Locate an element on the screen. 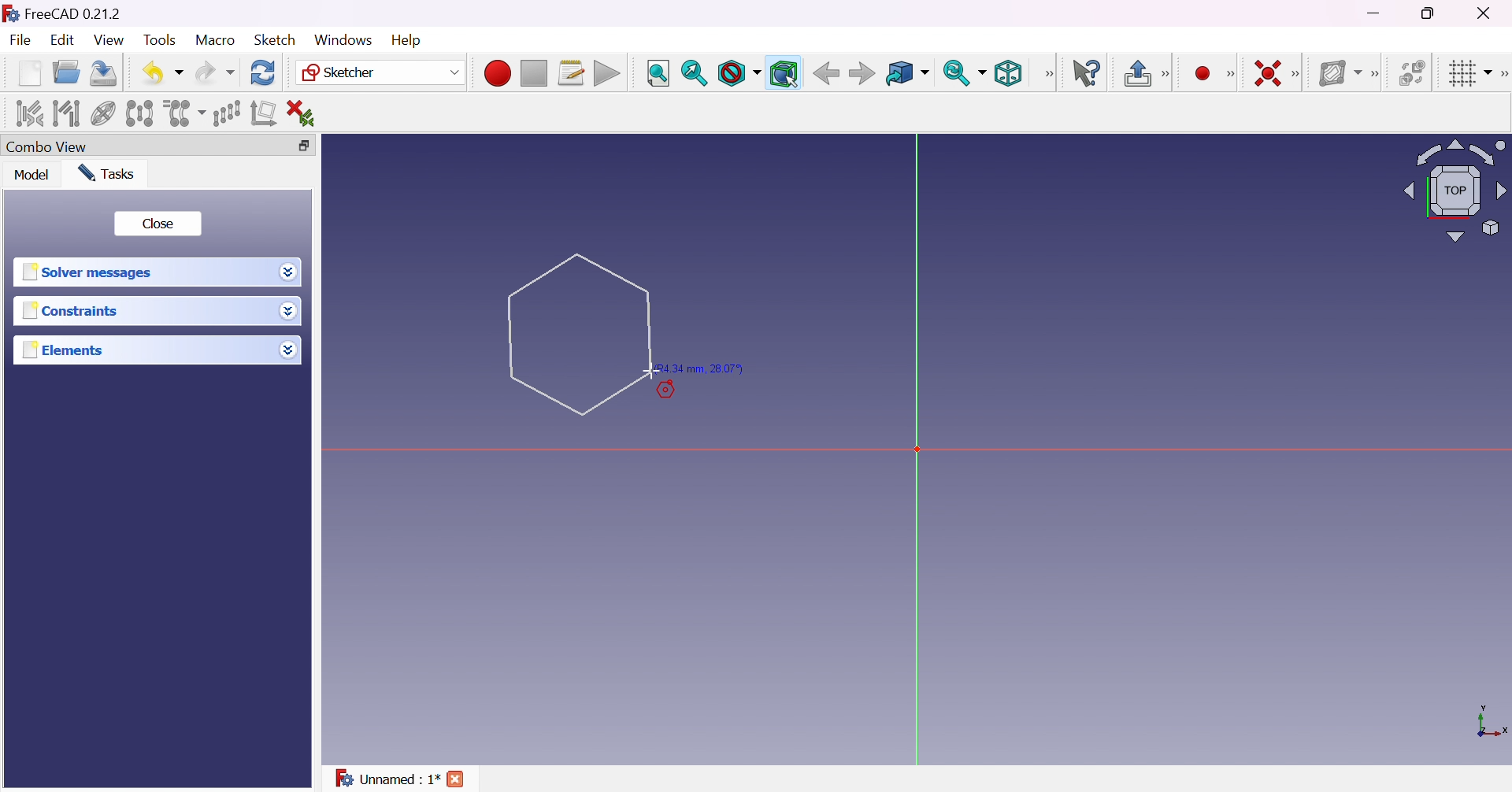 Image resolution: width=1512 pixels, height=792 pixels. Minimize is located at coordinates (1376, 13).